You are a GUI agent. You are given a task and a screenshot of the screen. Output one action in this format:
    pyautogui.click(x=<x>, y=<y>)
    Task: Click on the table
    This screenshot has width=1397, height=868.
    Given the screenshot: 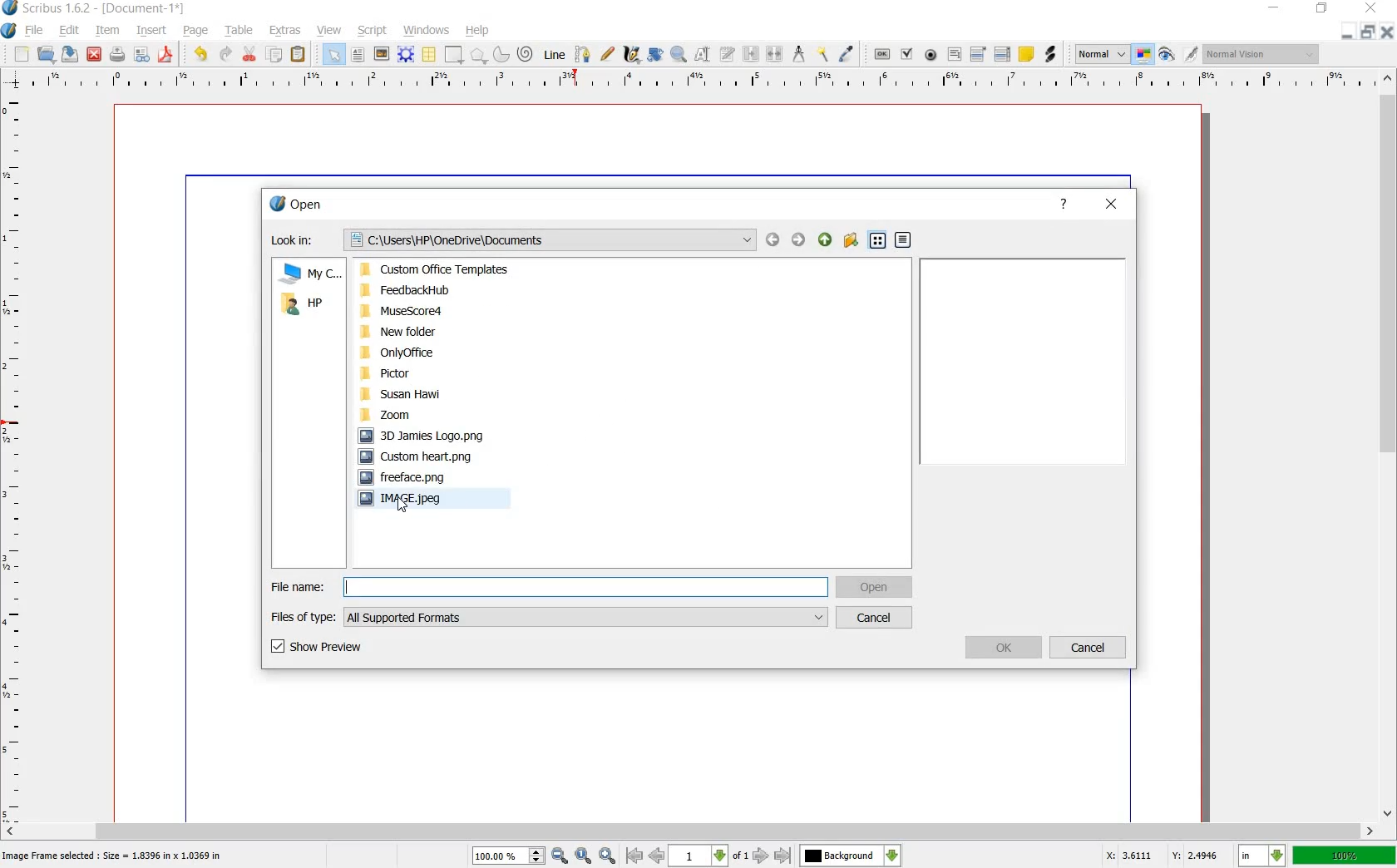 What is the action you would take?
    pyautogui.click(x=427, y=54)
    